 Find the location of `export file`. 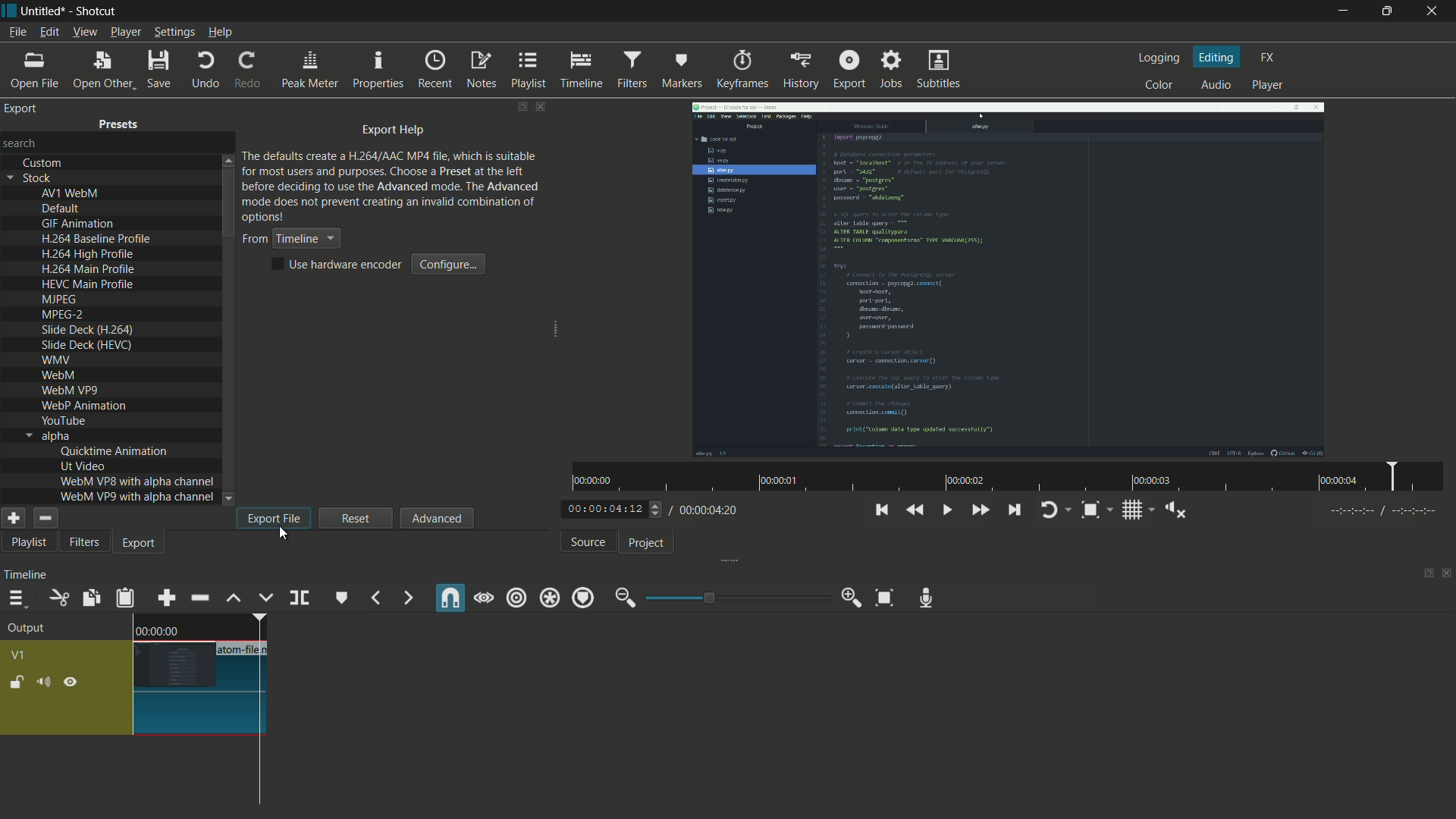

export file is located at coordinates (274, 518).